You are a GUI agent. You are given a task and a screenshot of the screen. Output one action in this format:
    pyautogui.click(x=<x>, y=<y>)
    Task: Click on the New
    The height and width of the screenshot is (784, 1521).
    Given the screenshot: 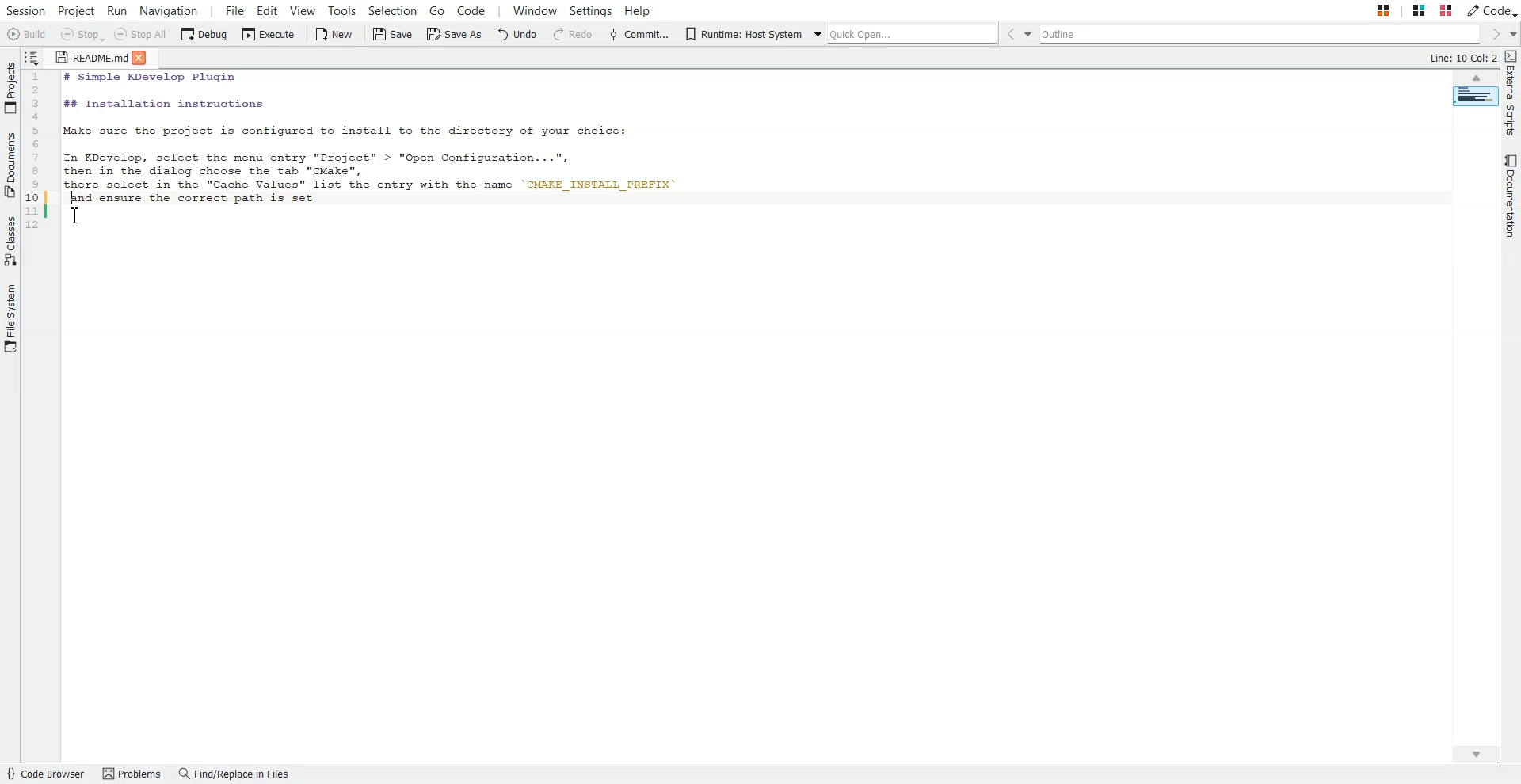 What is the action you would take?
    pyautogui.click(x=336, y=35)
    